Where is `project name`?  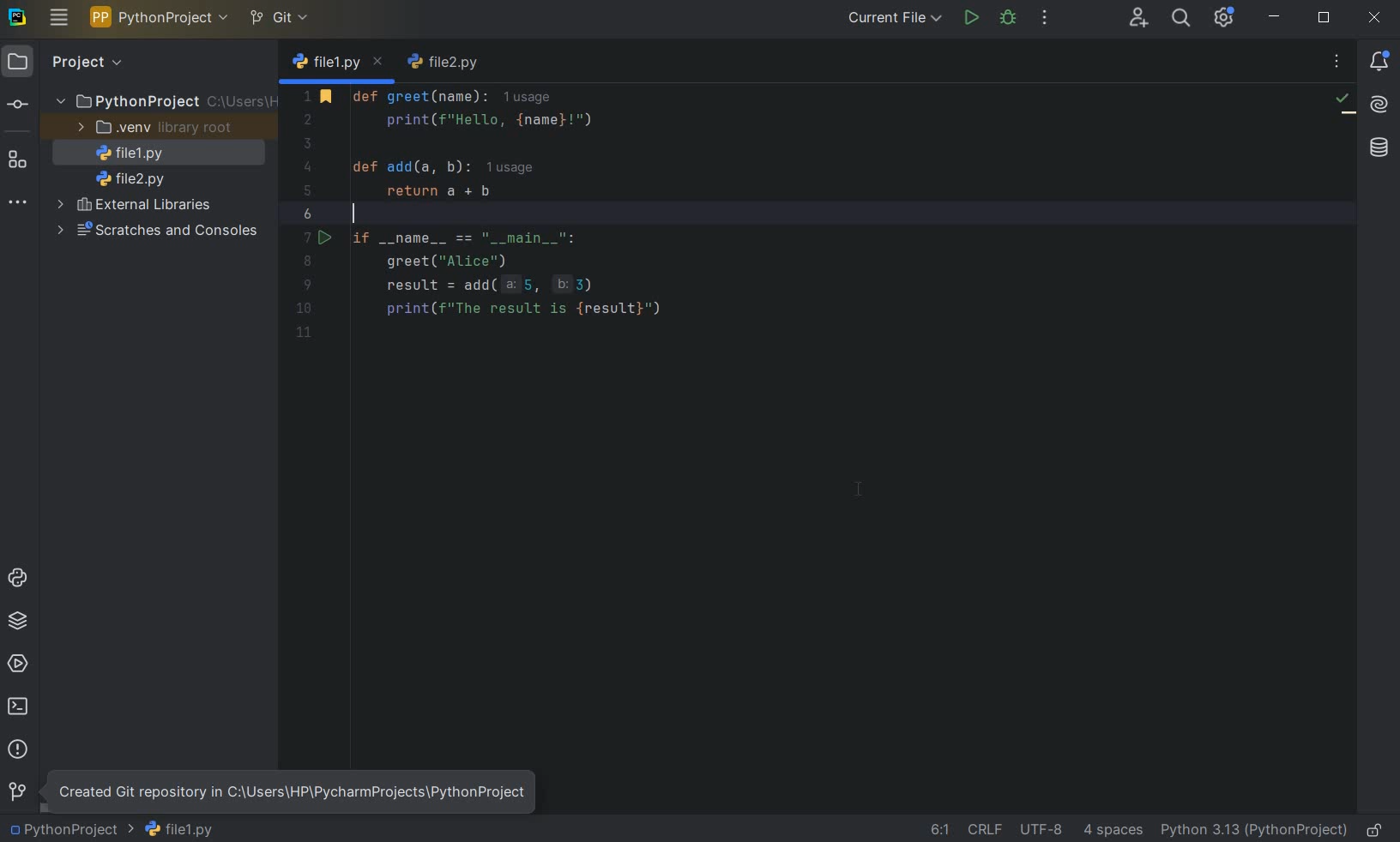 project name is located at coordinates (70, 831).